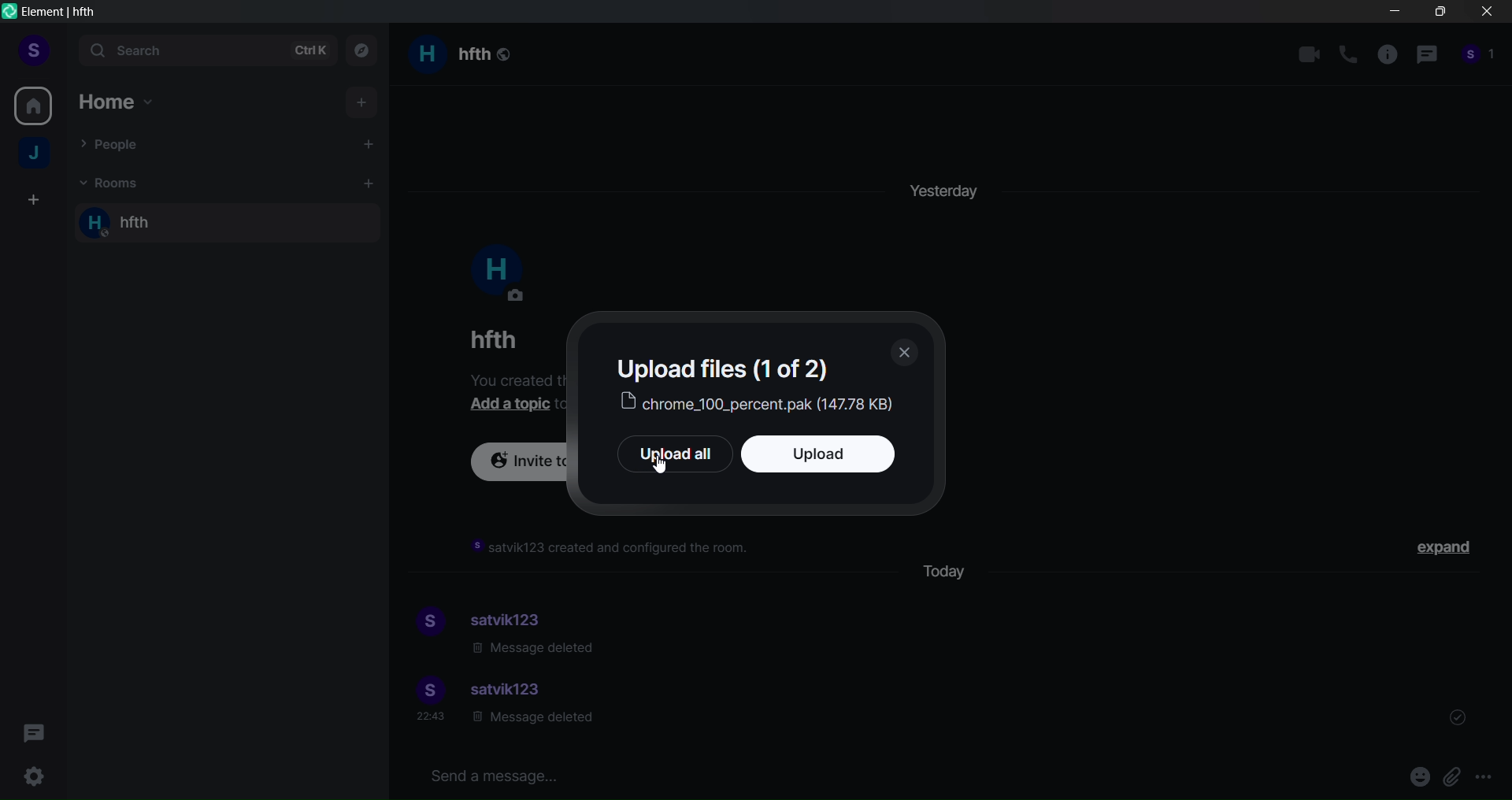  I want to click on thread, so click(1426, 57).